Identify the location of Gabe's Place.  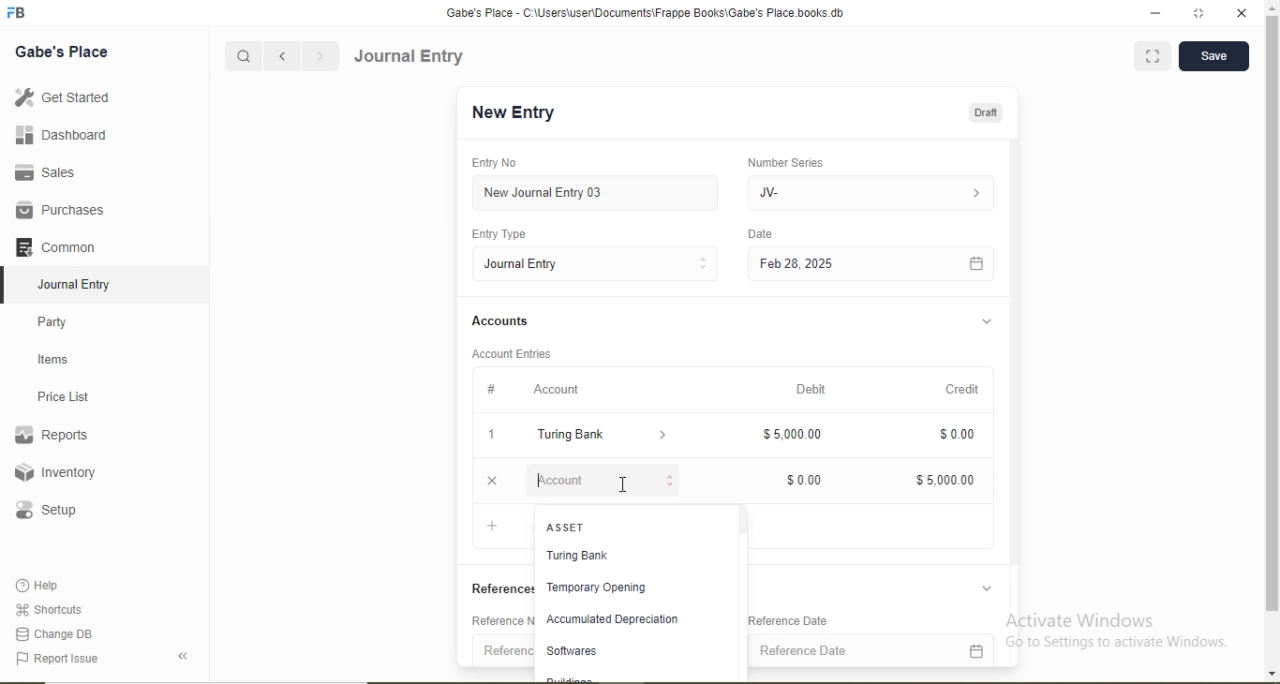
(62, 52).